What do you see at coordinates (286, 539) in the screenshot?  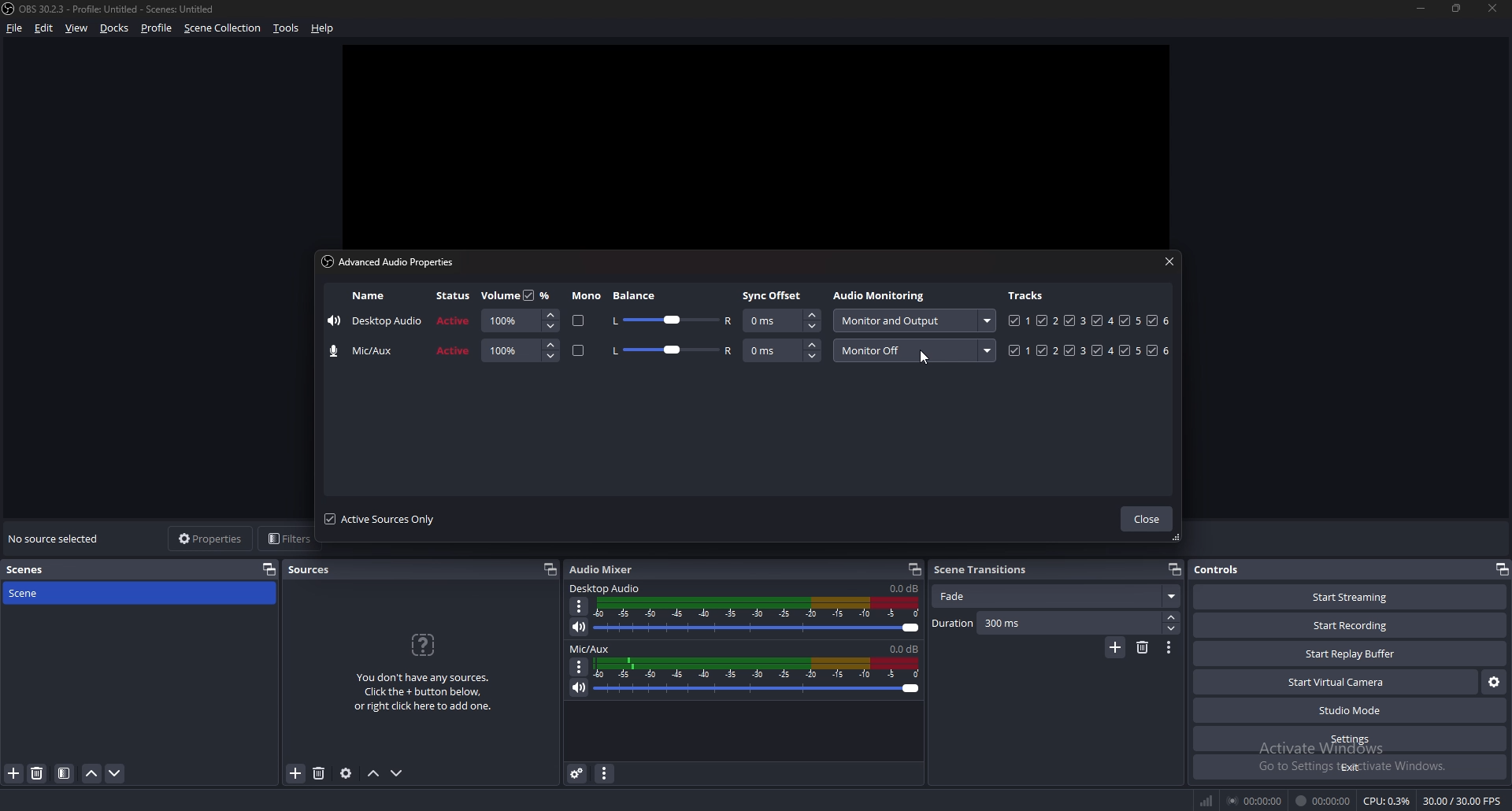 I see `filters` at bounding box center [286, 539].